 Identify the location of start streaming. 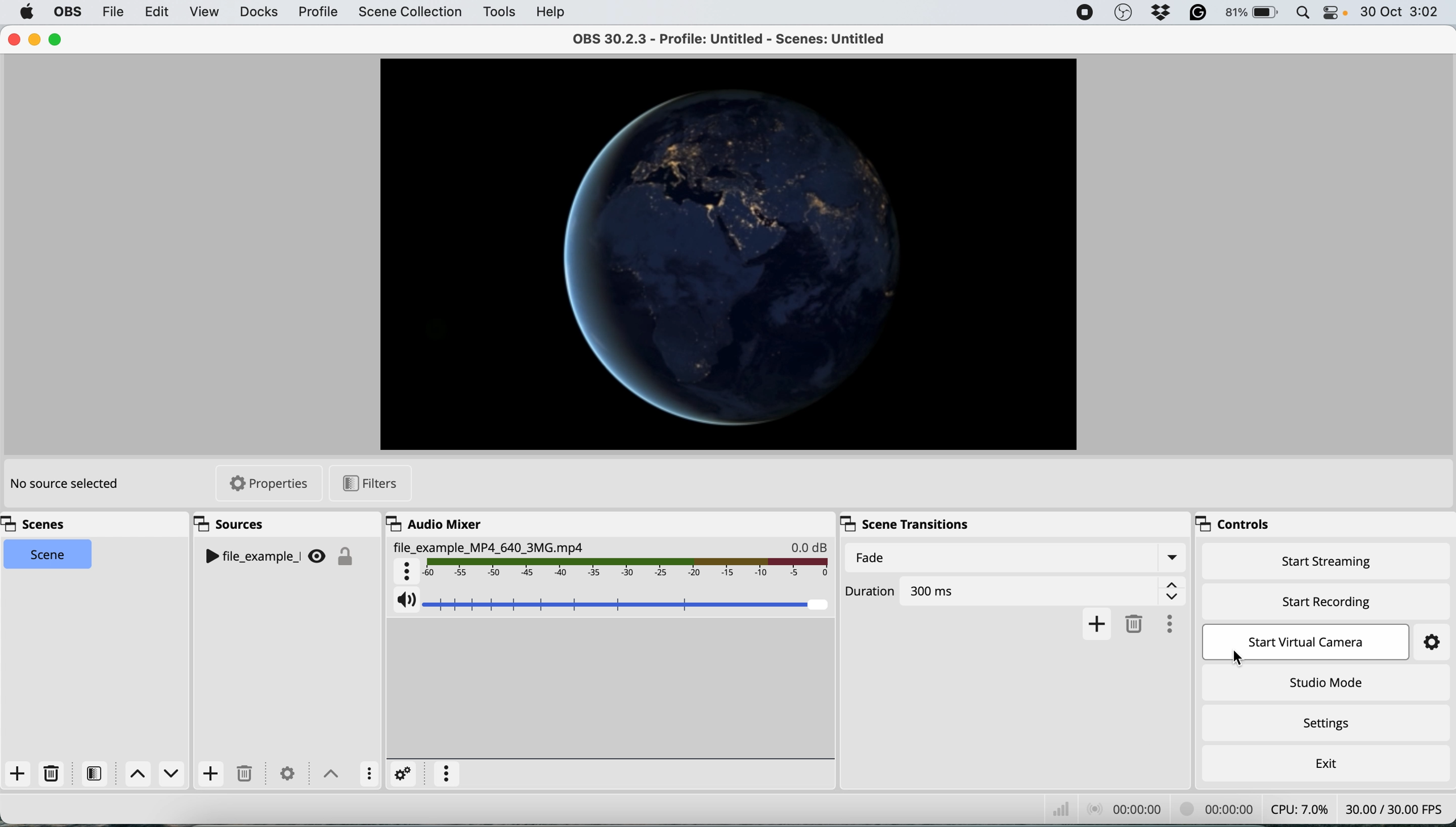
(1322, 562).